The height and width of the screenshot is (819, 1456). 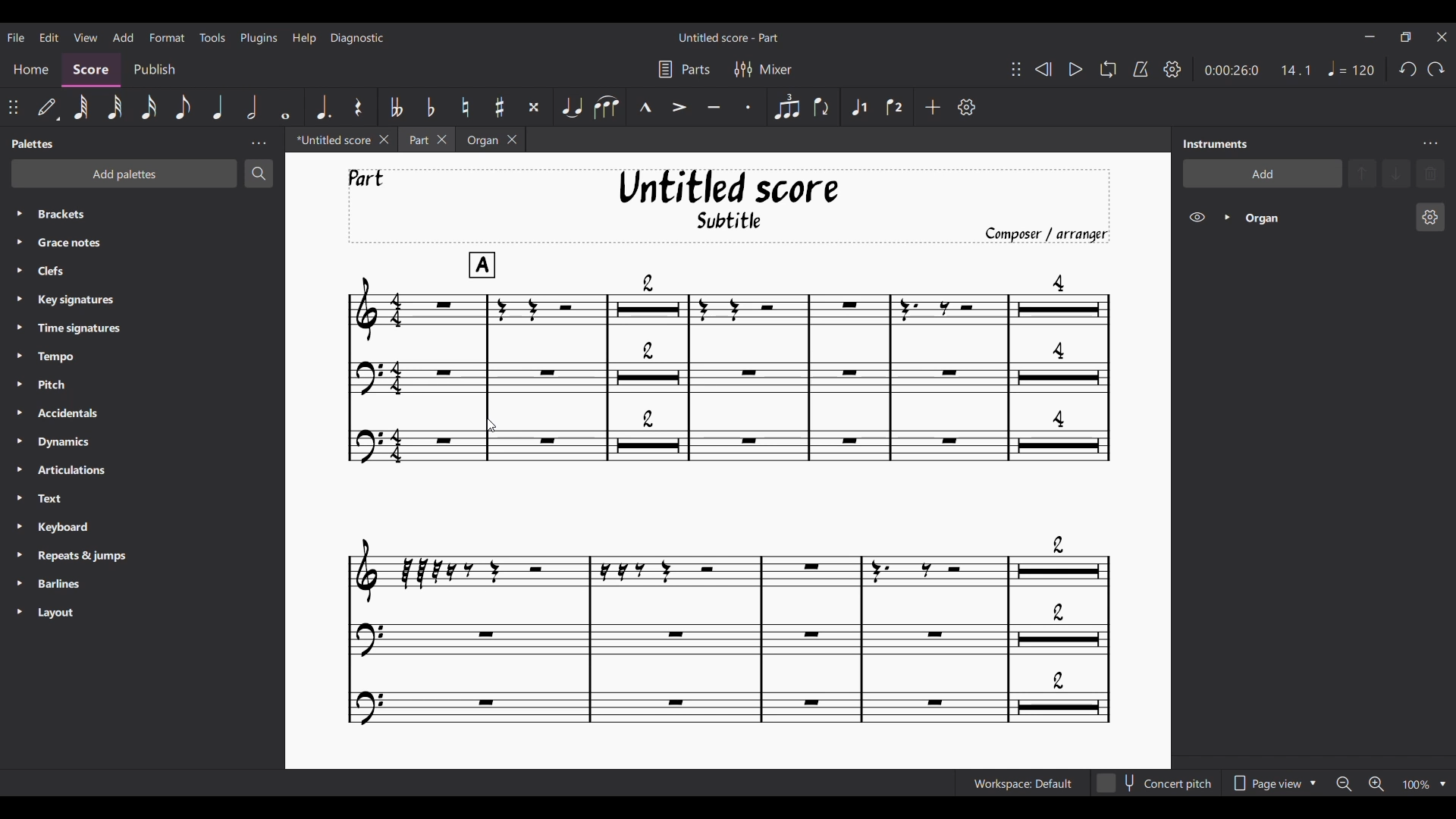 I want to click on List of palette under Palette, so click(x=156, y=413).